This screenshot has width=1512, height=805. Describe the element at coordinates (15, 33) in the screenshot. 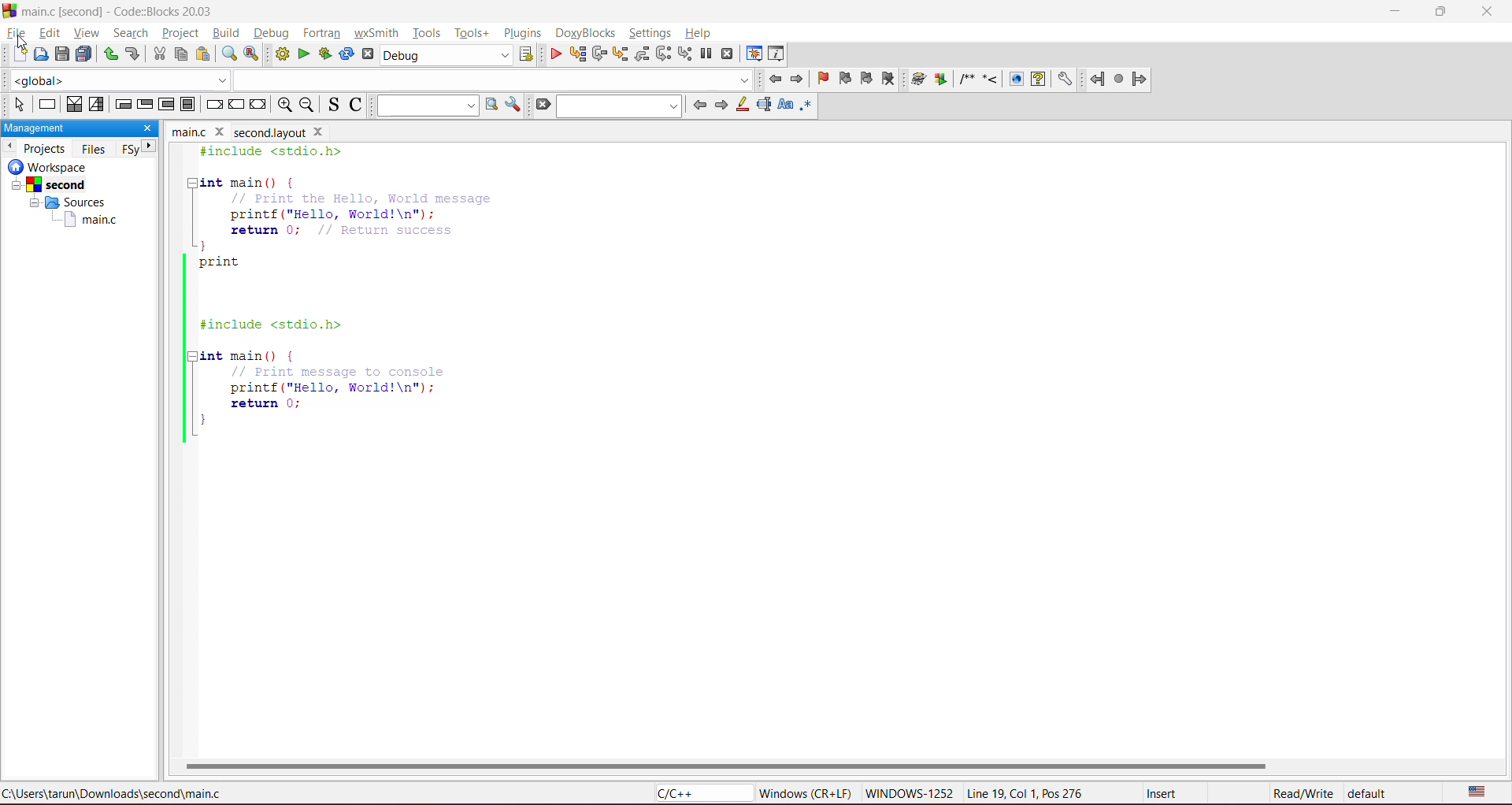

I see `file` at that location.